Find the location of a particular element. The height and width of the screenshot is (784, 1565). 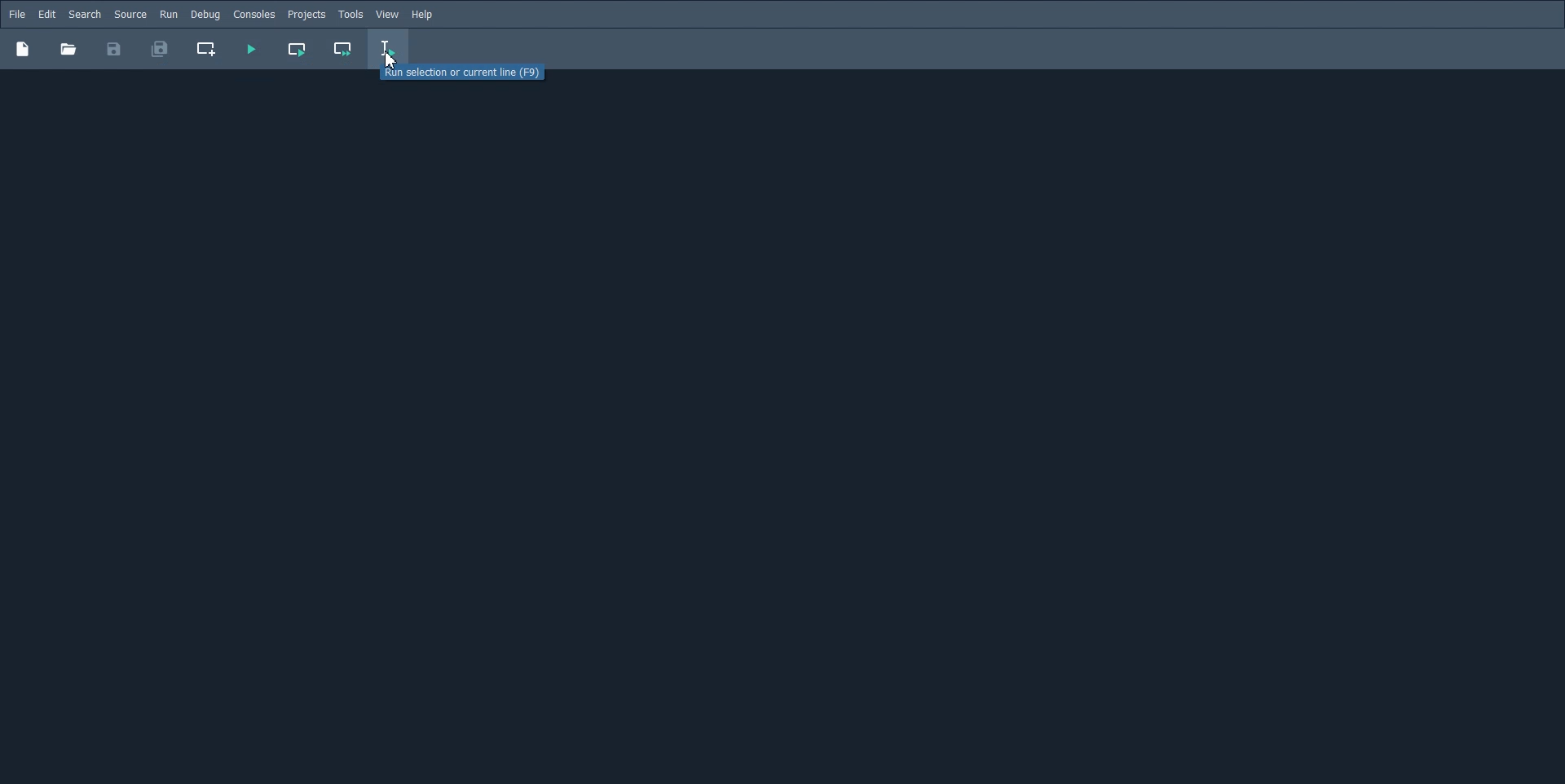

Cursor is located at coordinates (391, 59).